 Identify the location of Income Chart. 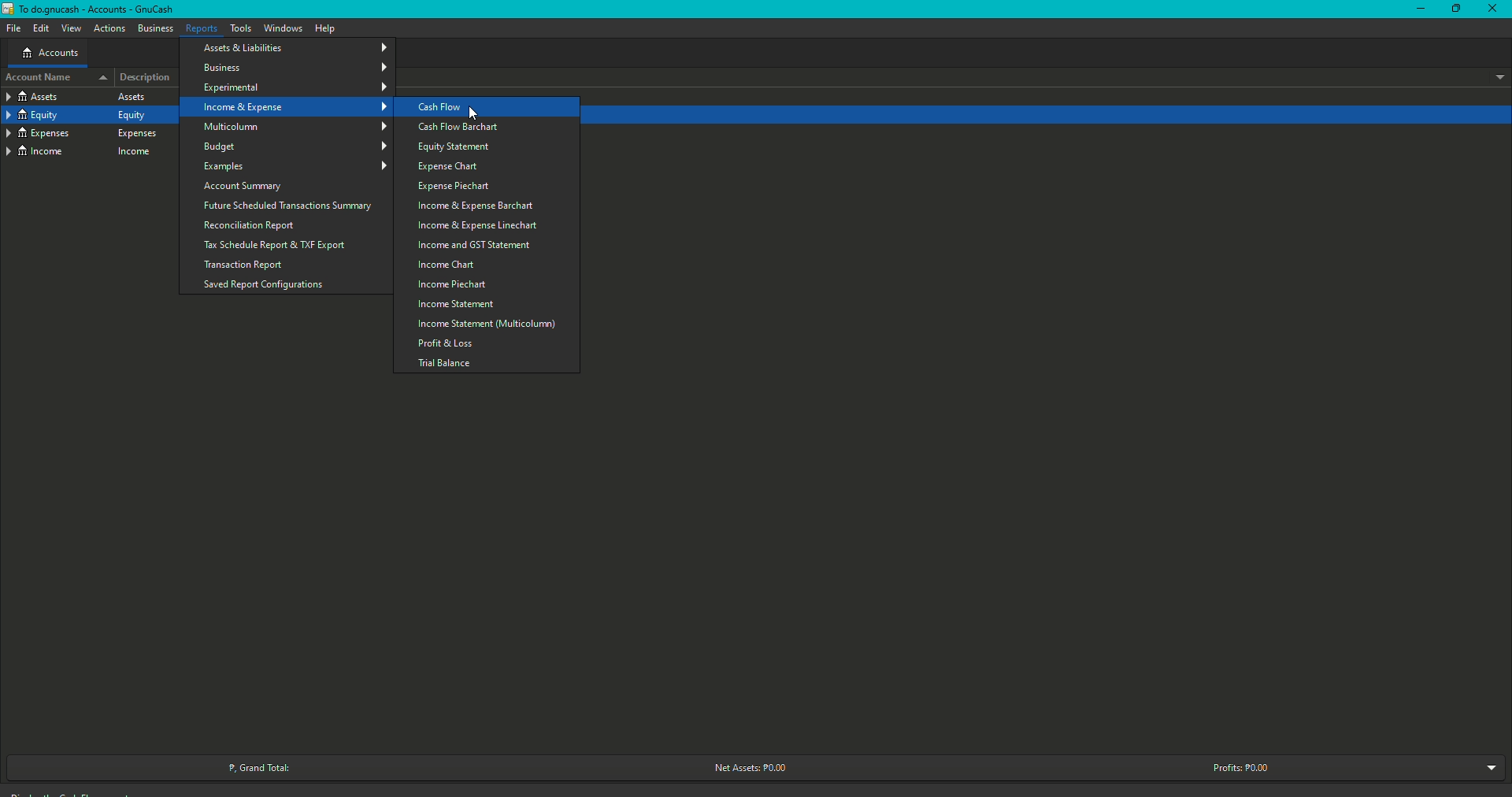
(450, 265).